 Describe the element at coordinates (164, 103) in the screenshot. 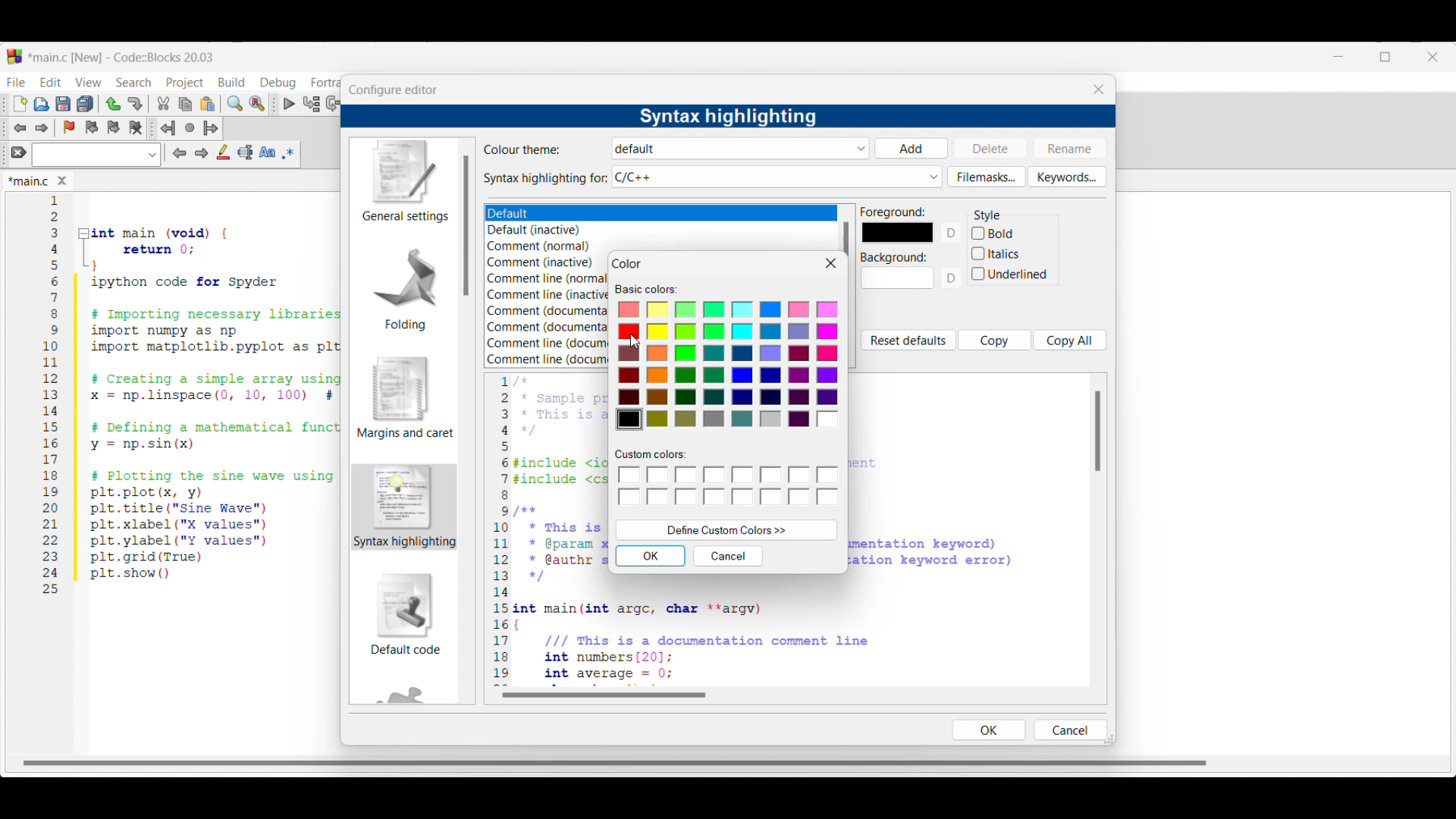

I see `Cut` at that location.